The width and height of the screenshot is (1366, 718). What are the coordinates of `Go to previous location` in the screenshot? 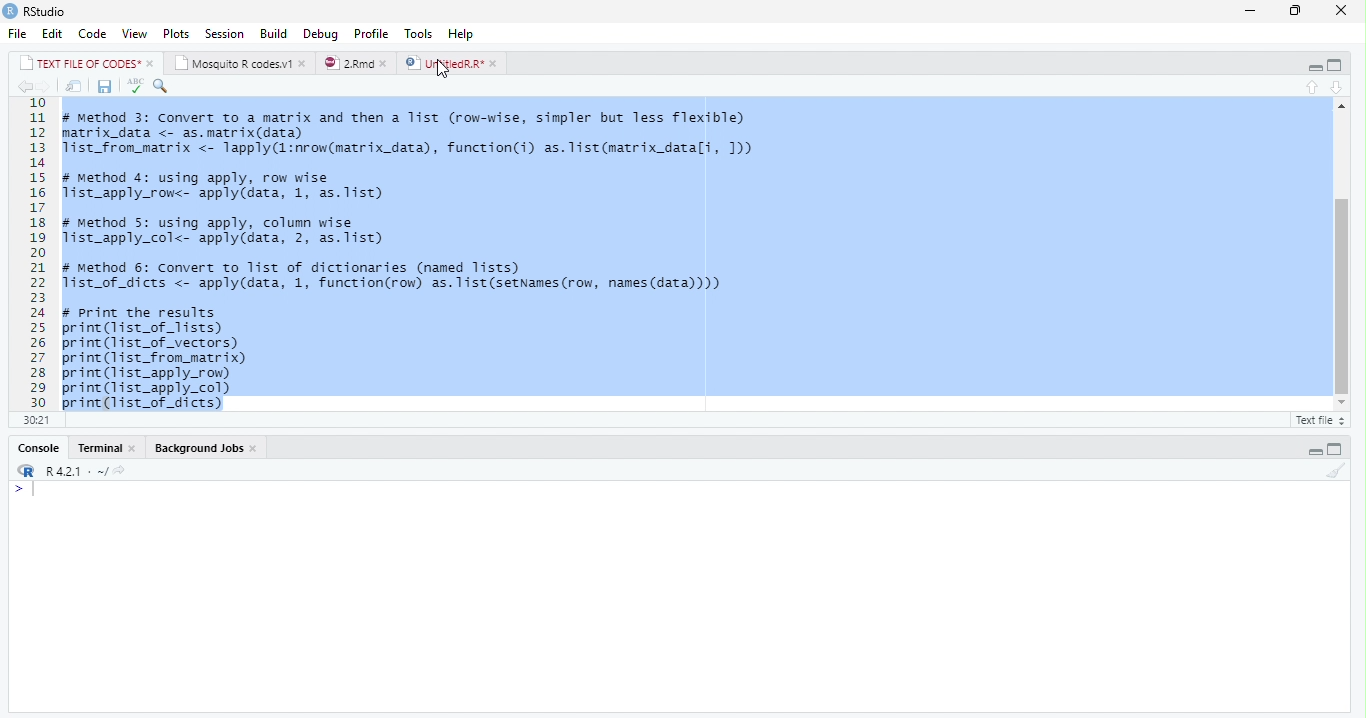 It's located at (23, 88).